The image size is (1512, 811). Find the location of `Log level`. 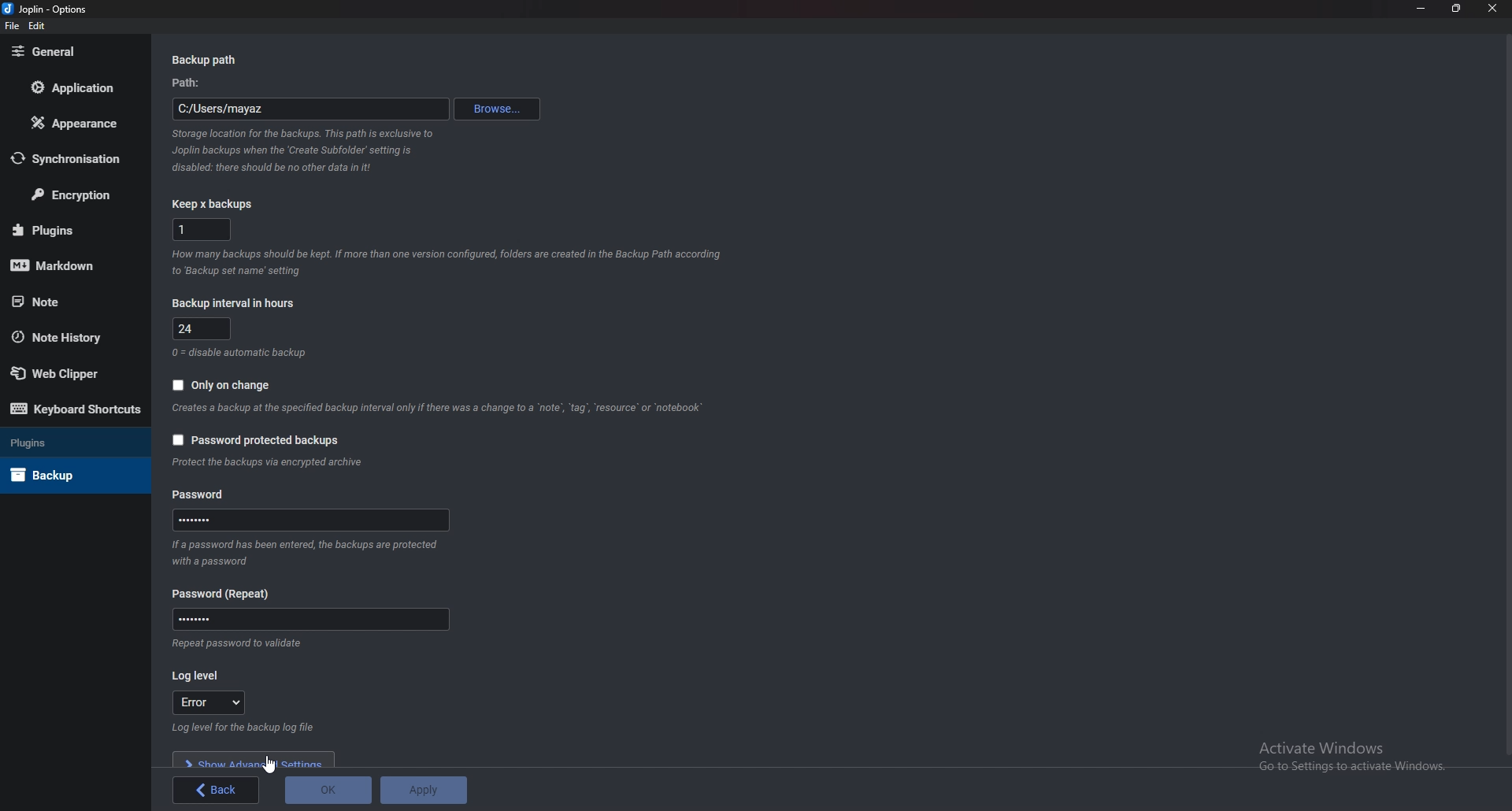

Log level is located at coordinates (200, 676).